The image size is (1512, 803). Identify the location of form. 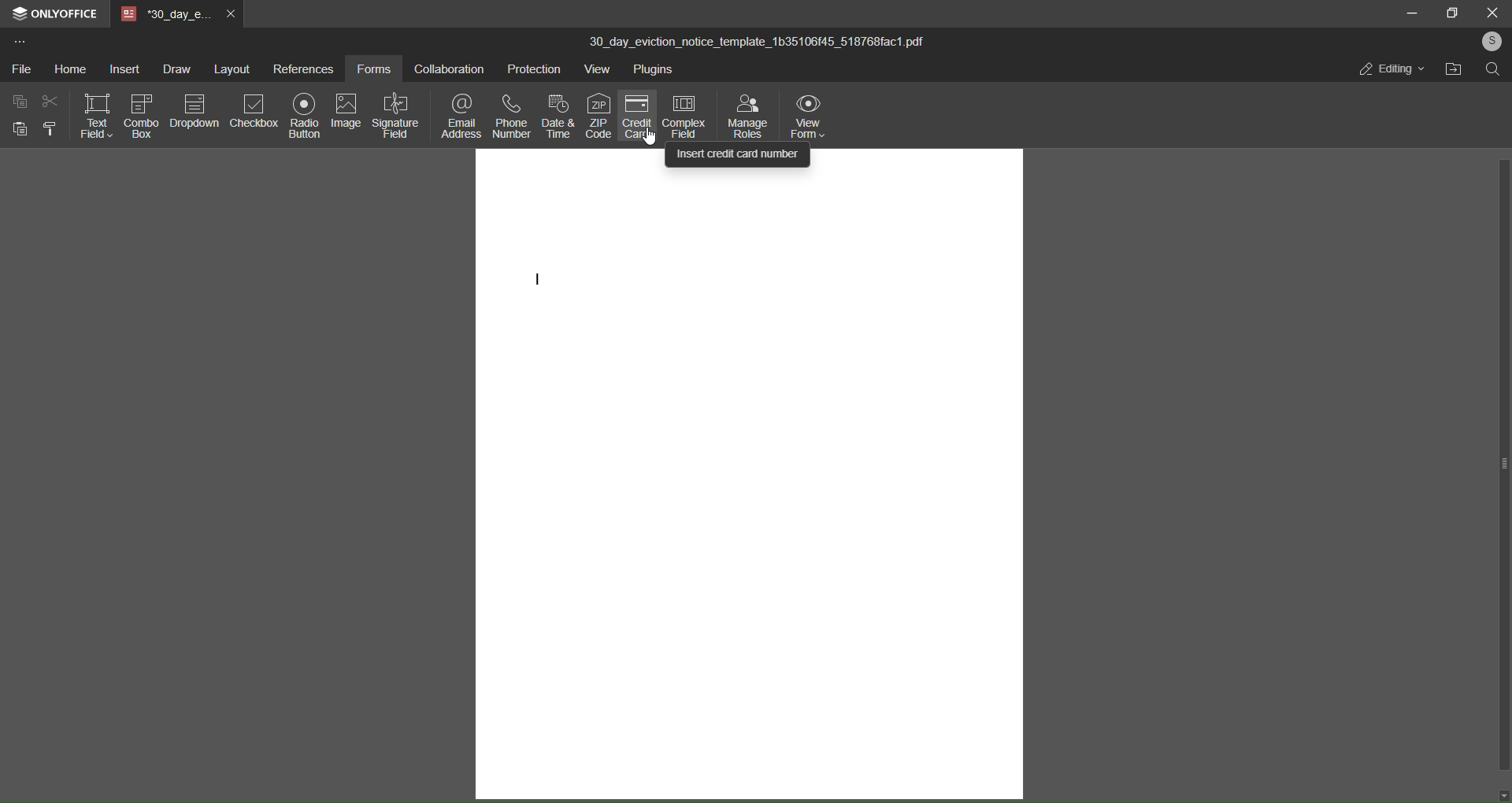
(377, 68).